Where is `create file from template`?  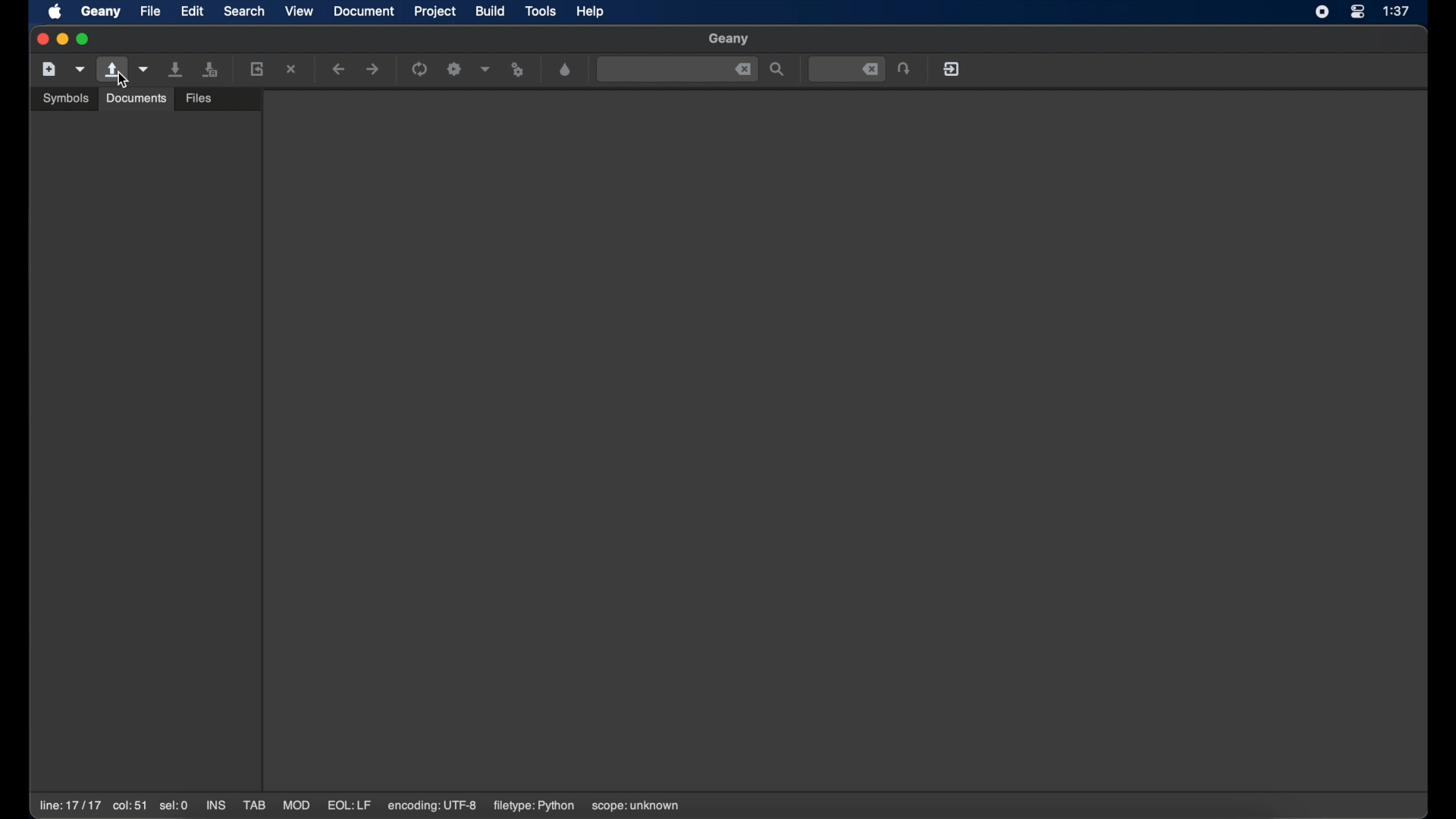 create file from template is located at coordinates (80, 69).